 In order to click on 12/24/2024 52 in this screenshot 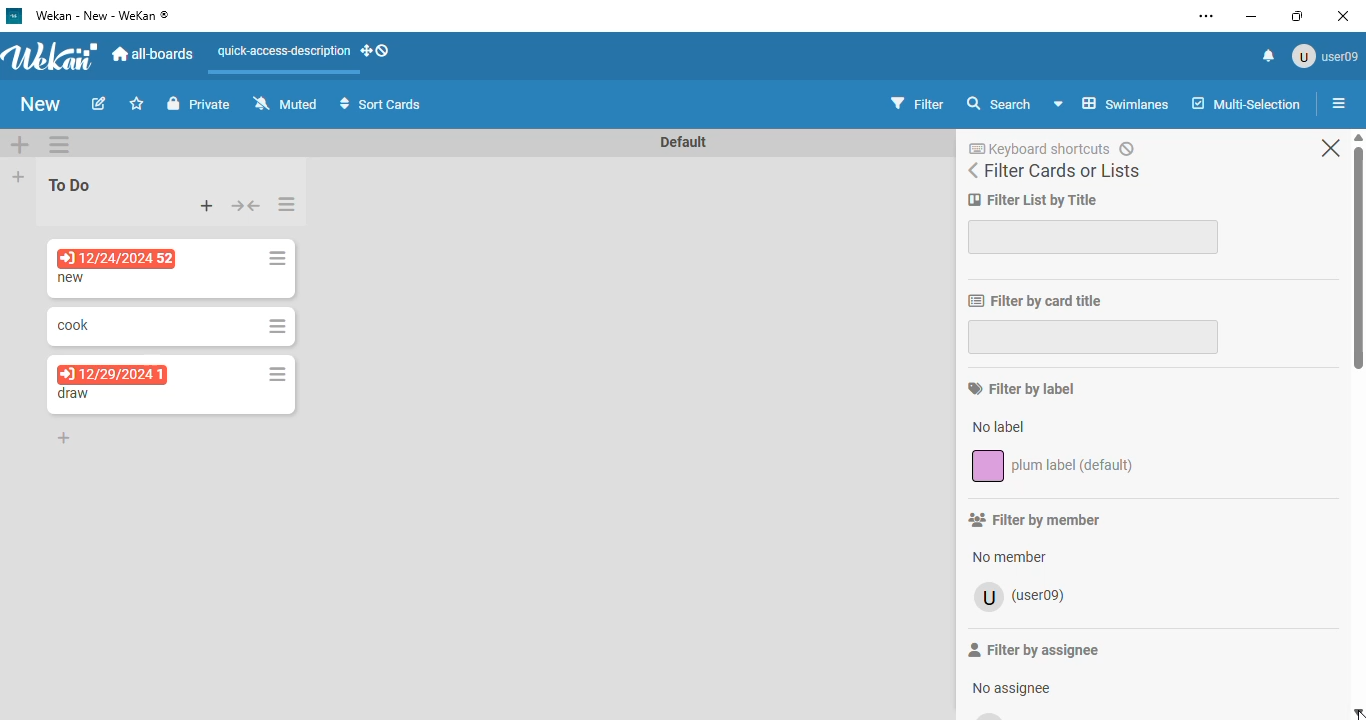, I will do `click(118, 259)`.